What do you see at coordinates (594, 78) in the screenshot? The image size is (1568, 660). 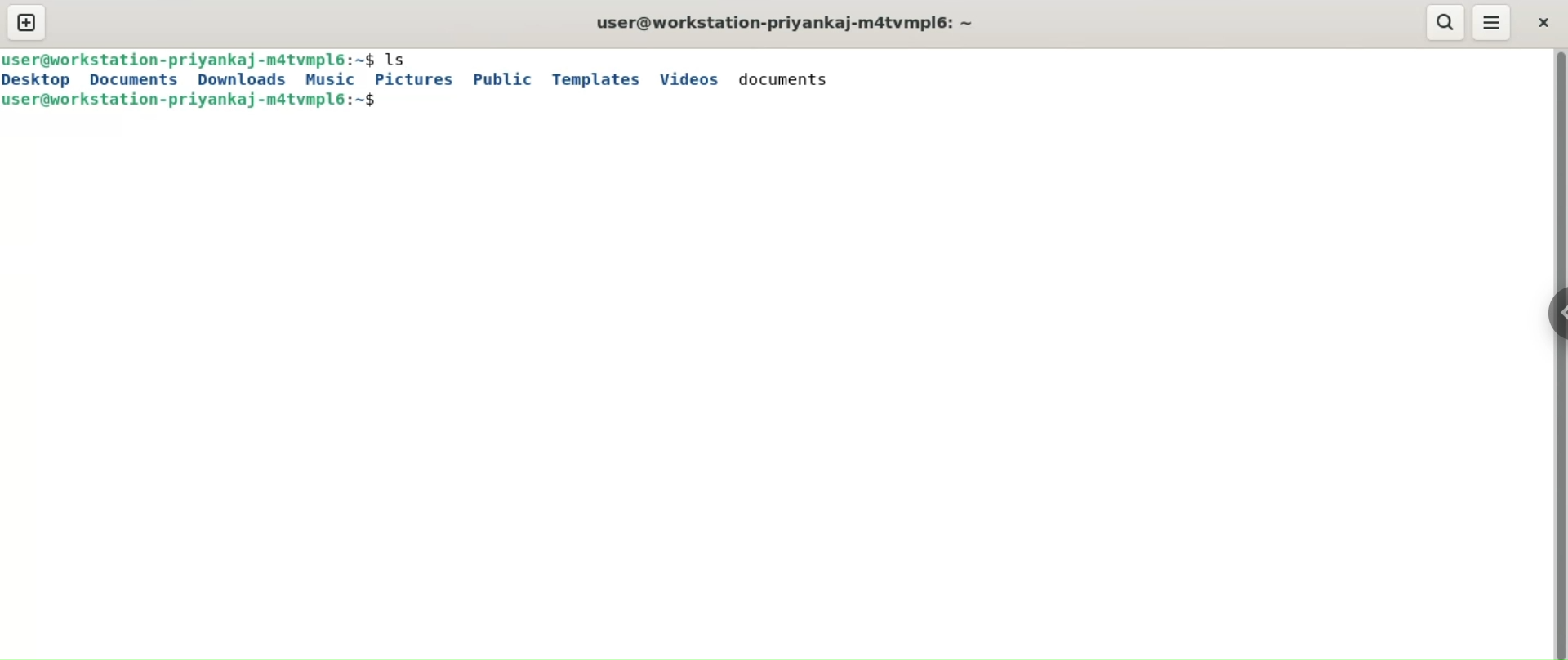 I see `templates` at bounding box center [594, 78].